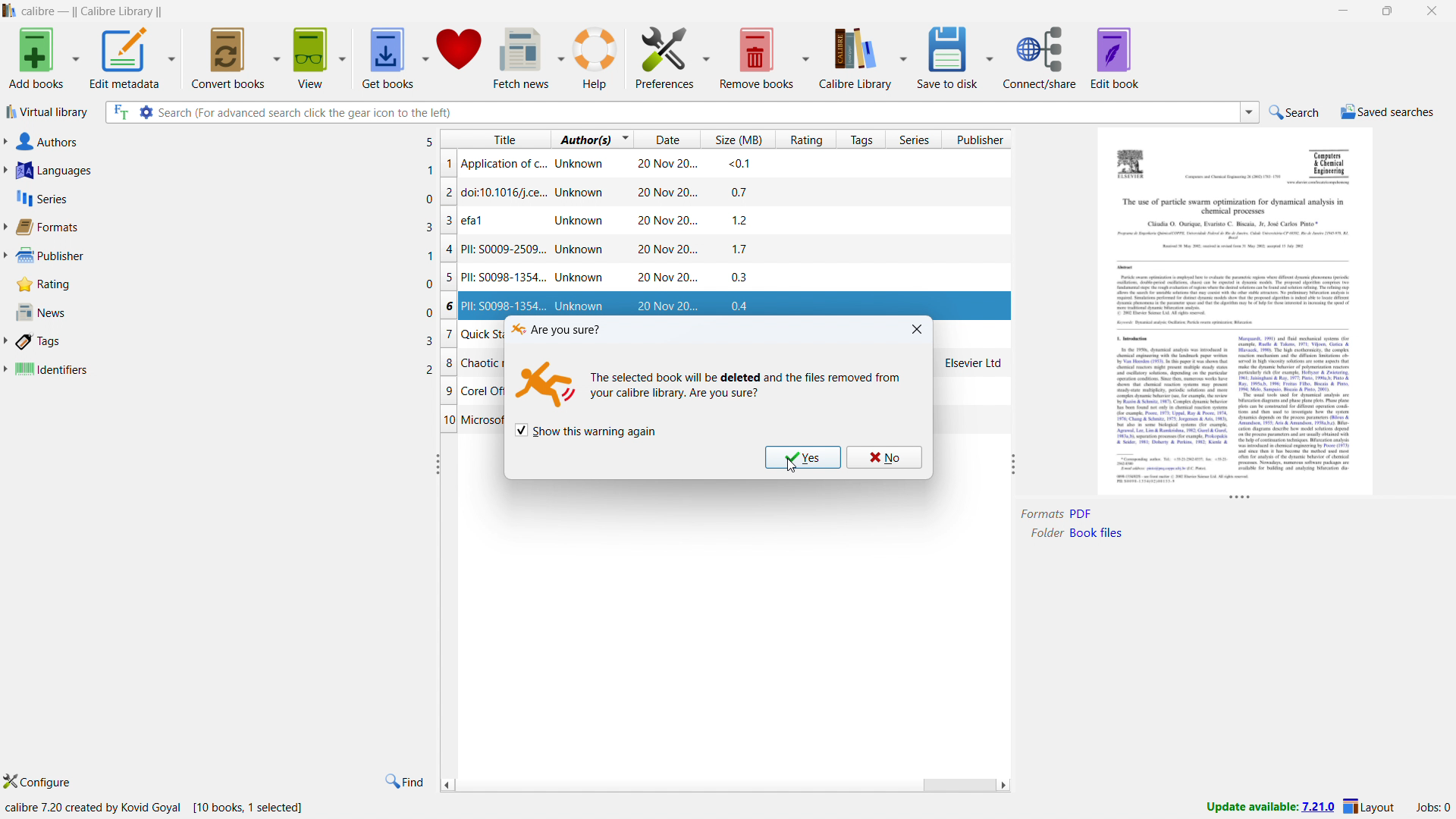 The image size is (1456, 819). What do you see at coordinates (36, 780) in the screenshot?
I see `configure` at bounding box center [36, 780].